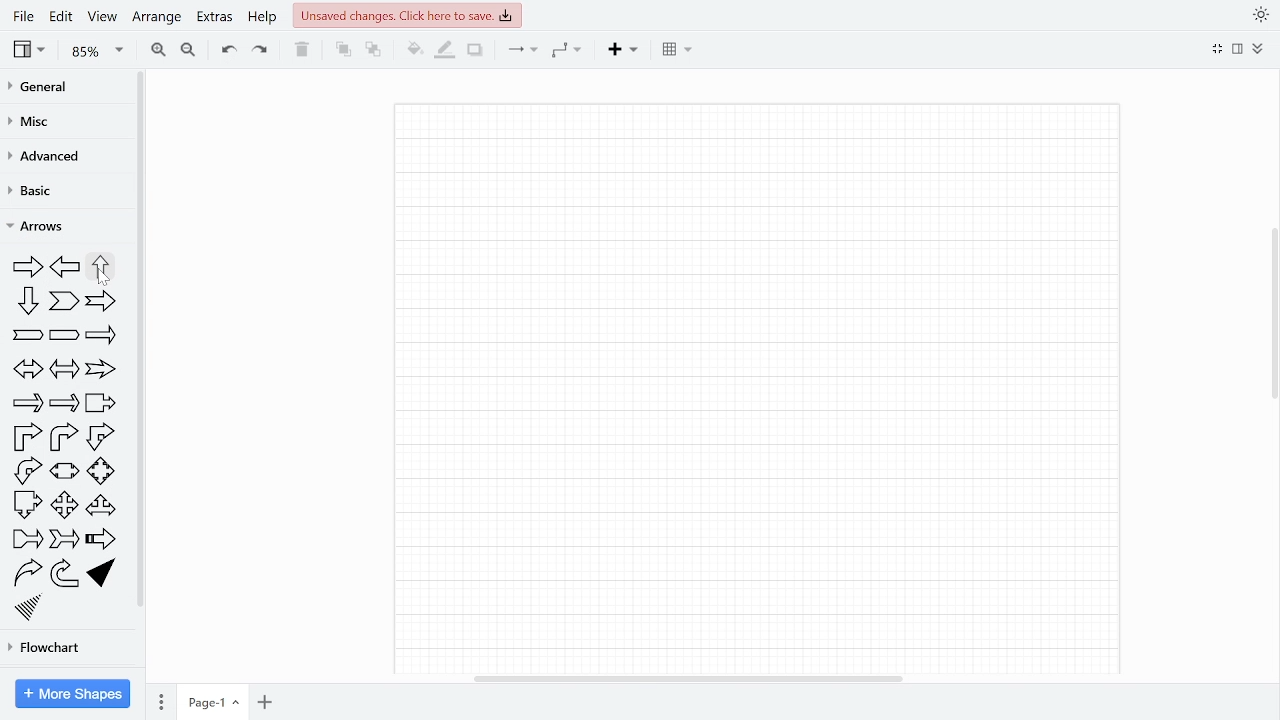  What do you see at coordinates (372, 50) in the screenshot?
I see `To back` at bounding box center [372, 50].